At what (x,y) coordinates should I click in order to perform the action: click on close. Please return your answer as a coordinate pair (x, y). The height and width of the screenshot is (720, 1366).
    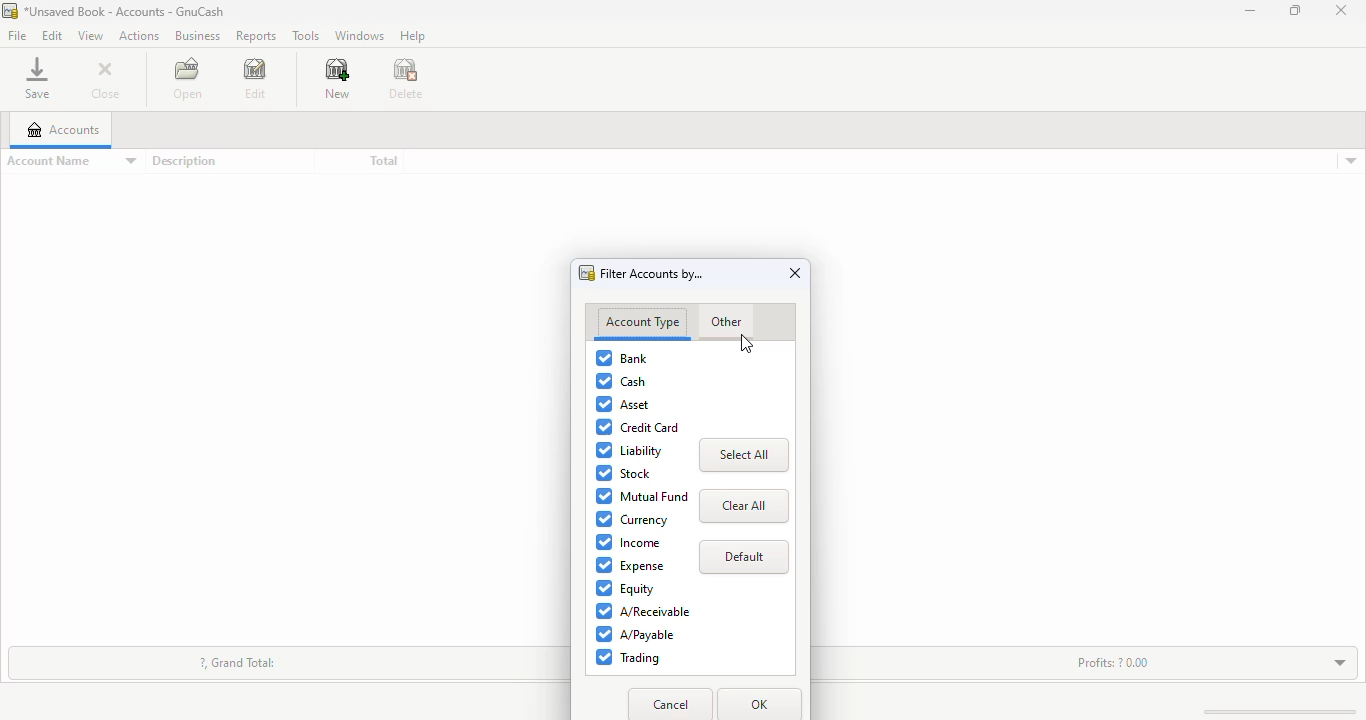
    Looking at the image, I should click on (108, 79).